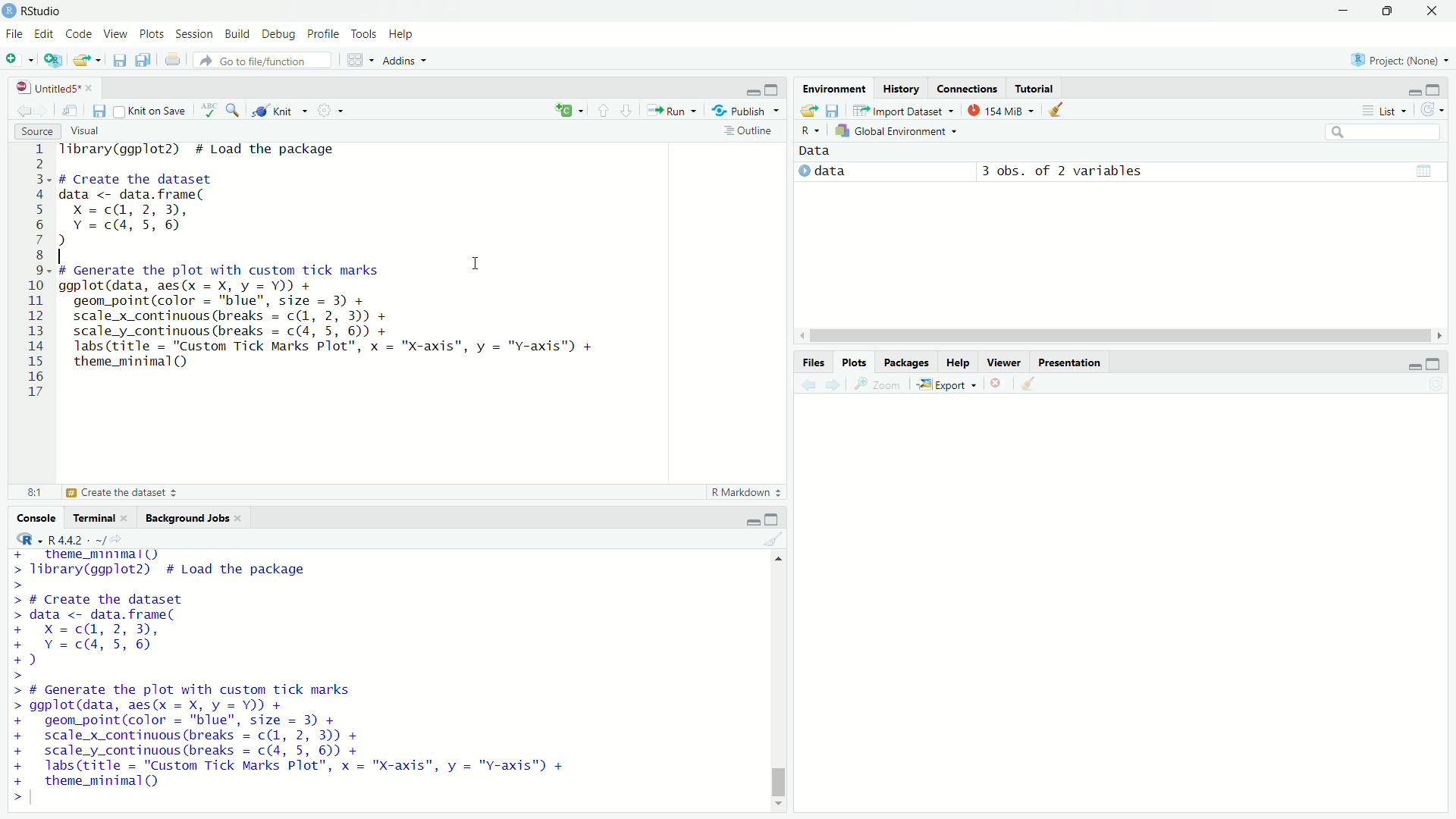 This screenshot has height=819, width=1456. Describe the element at coordinates (32, 273) in the screenshot. I see `` at that location.